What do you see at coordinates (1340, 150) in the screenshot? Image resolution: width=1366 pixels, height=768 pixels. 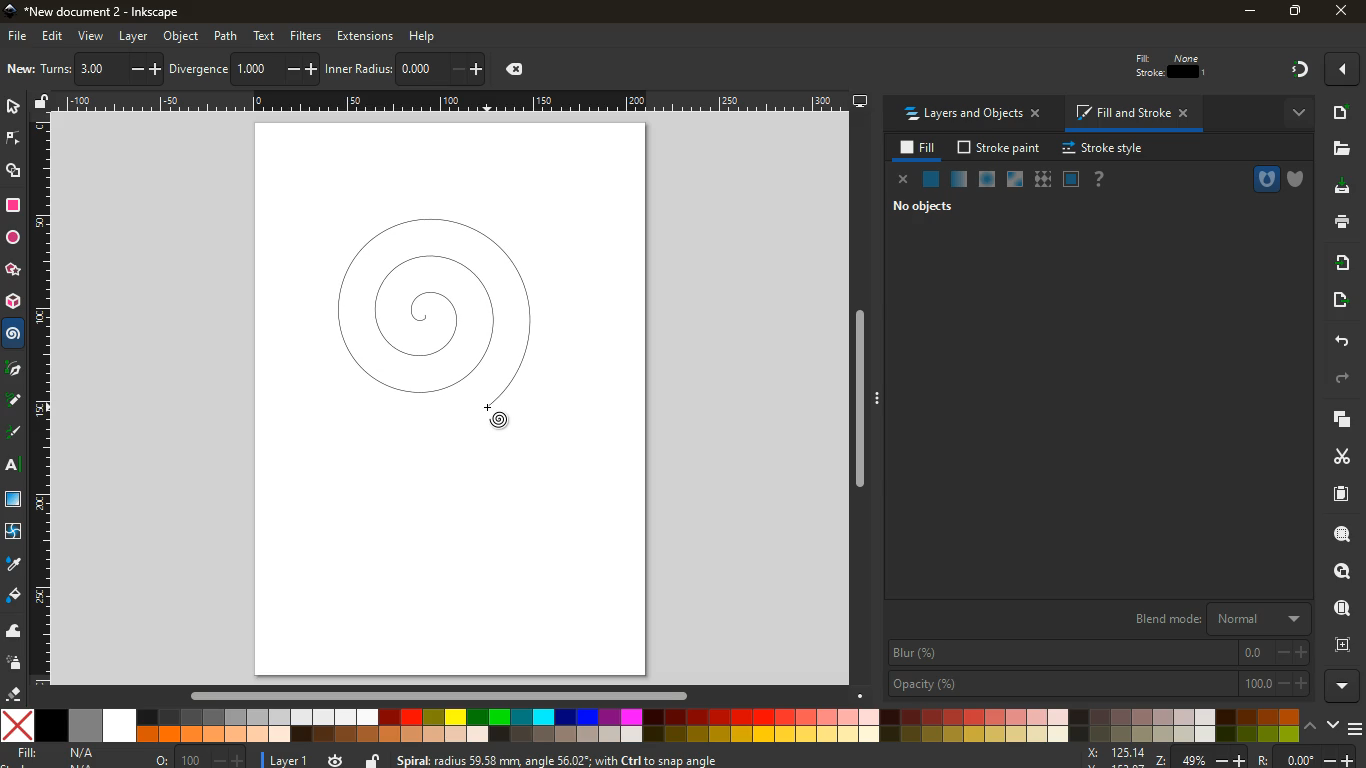 I see `file` at bounding box center [1340, 150].